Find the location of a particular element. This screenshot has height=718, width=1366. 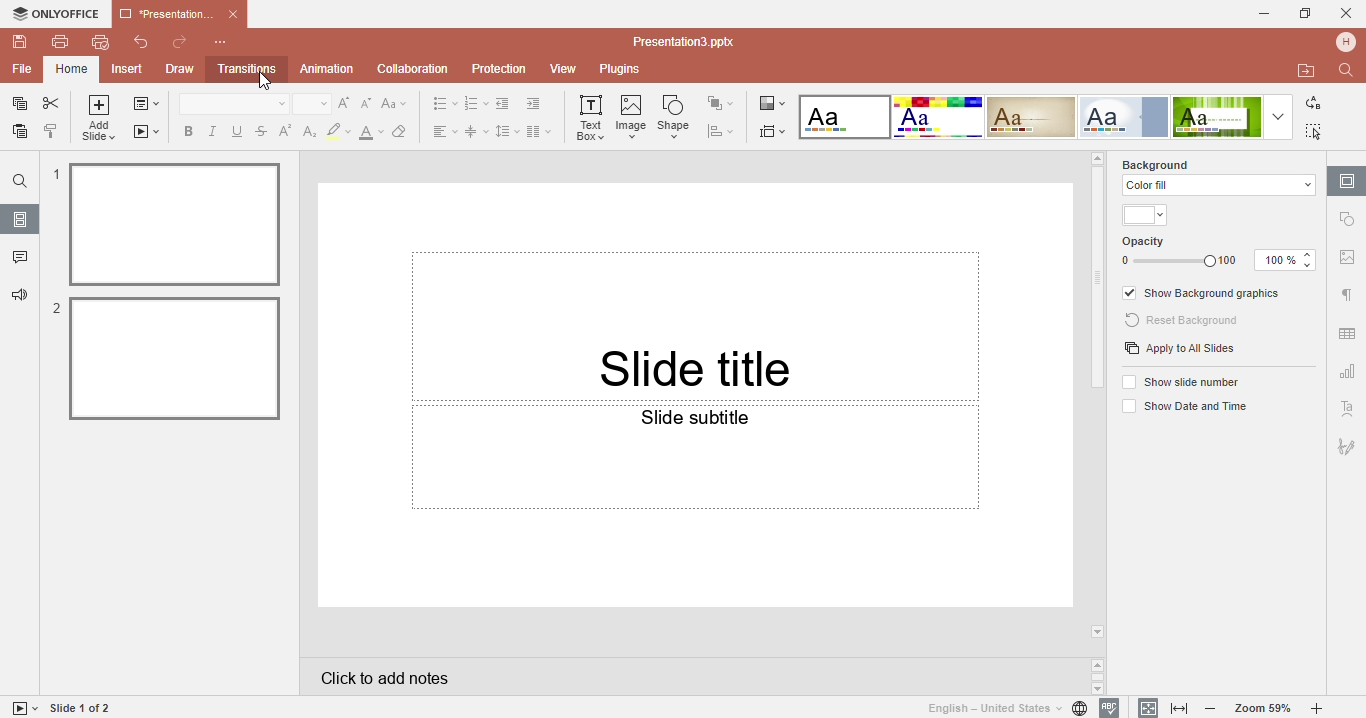

Bold is located at coordinates (185, 129).